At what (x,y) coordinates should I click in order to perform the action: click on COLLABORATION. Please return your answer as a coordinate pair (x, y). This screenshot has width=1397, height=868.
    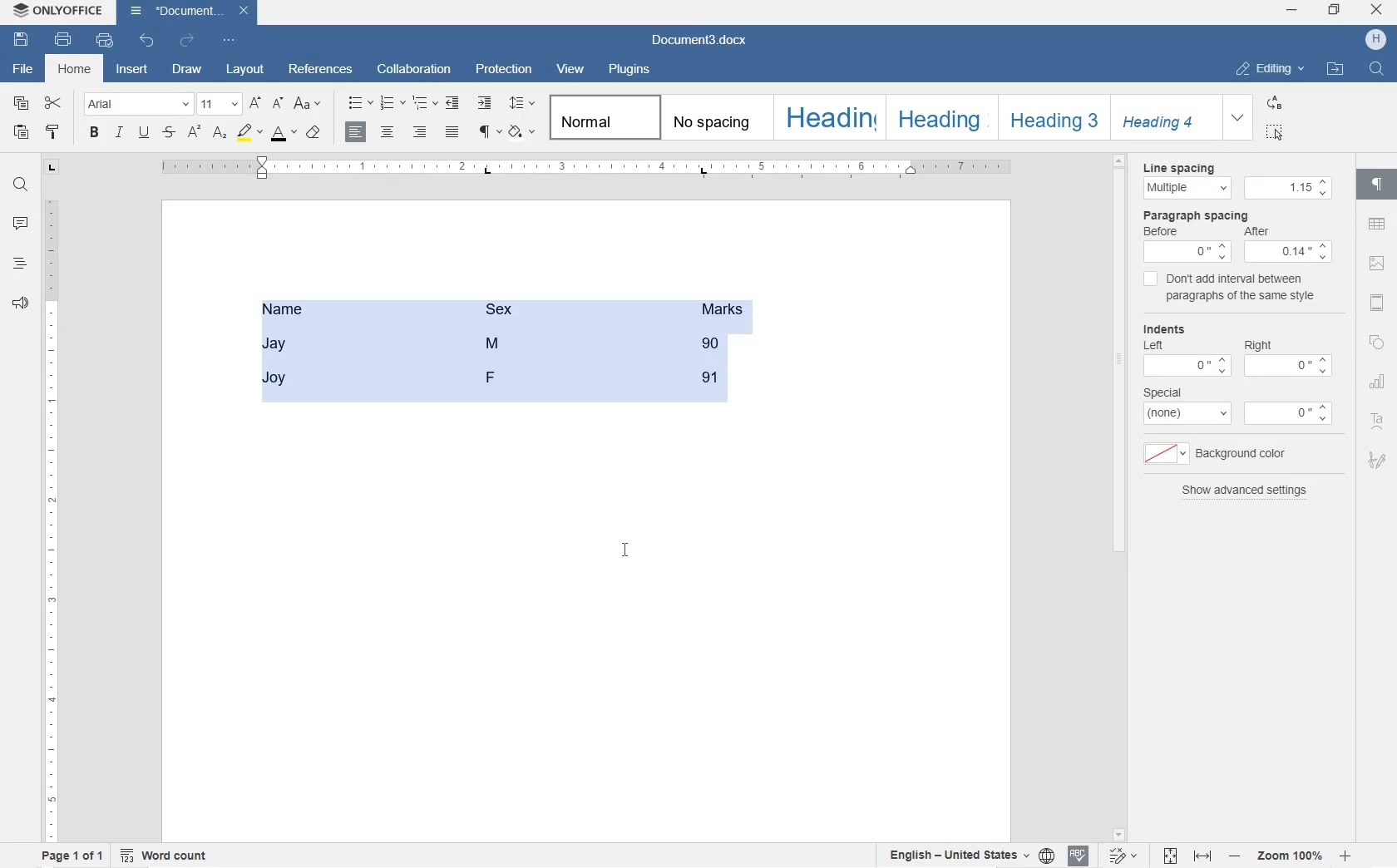
    Looking at the image, I should click on (416, 72).